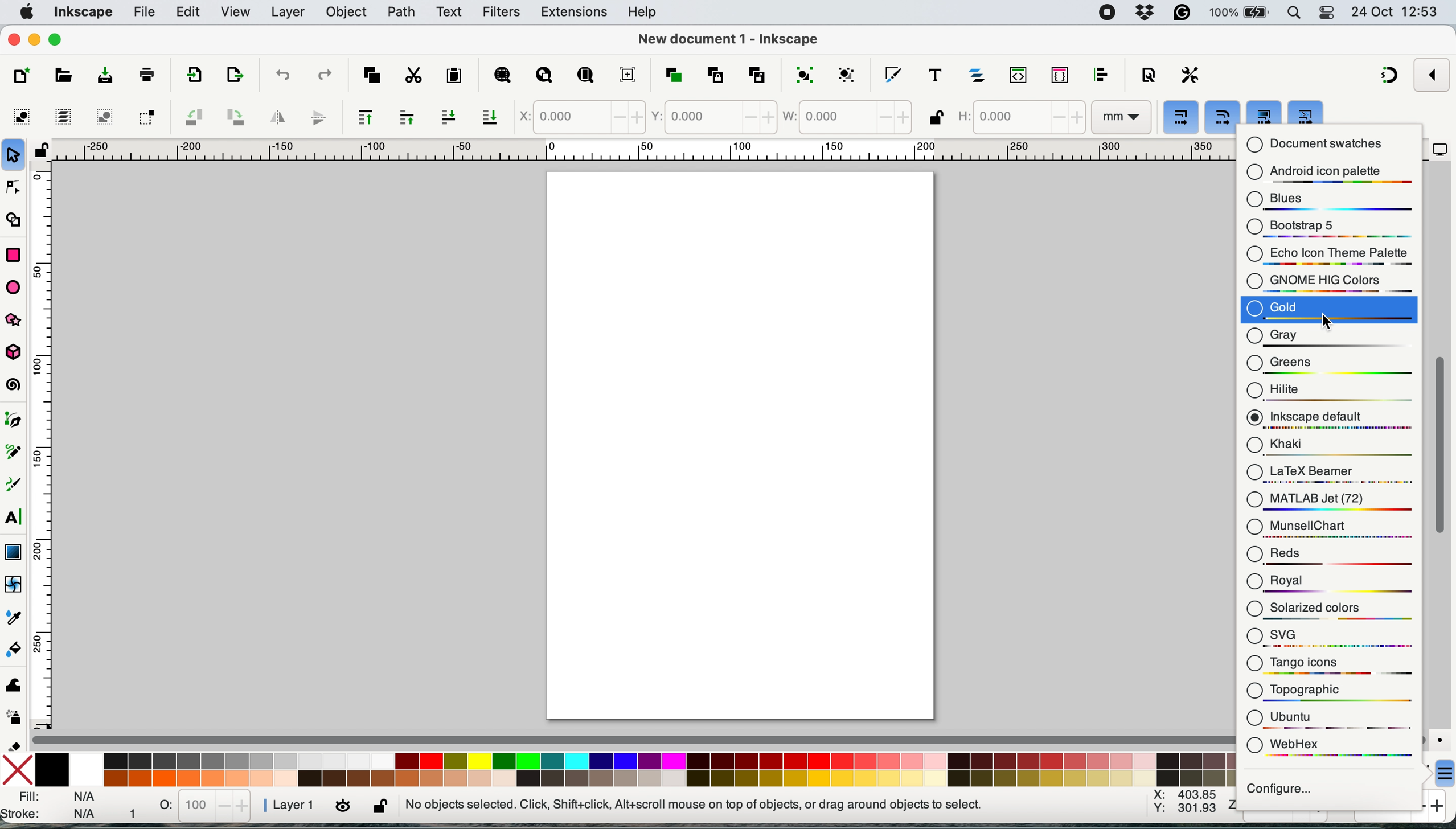 This screenshot has width=1456, height=829. I want to click on spray tool, so click(14, 715).